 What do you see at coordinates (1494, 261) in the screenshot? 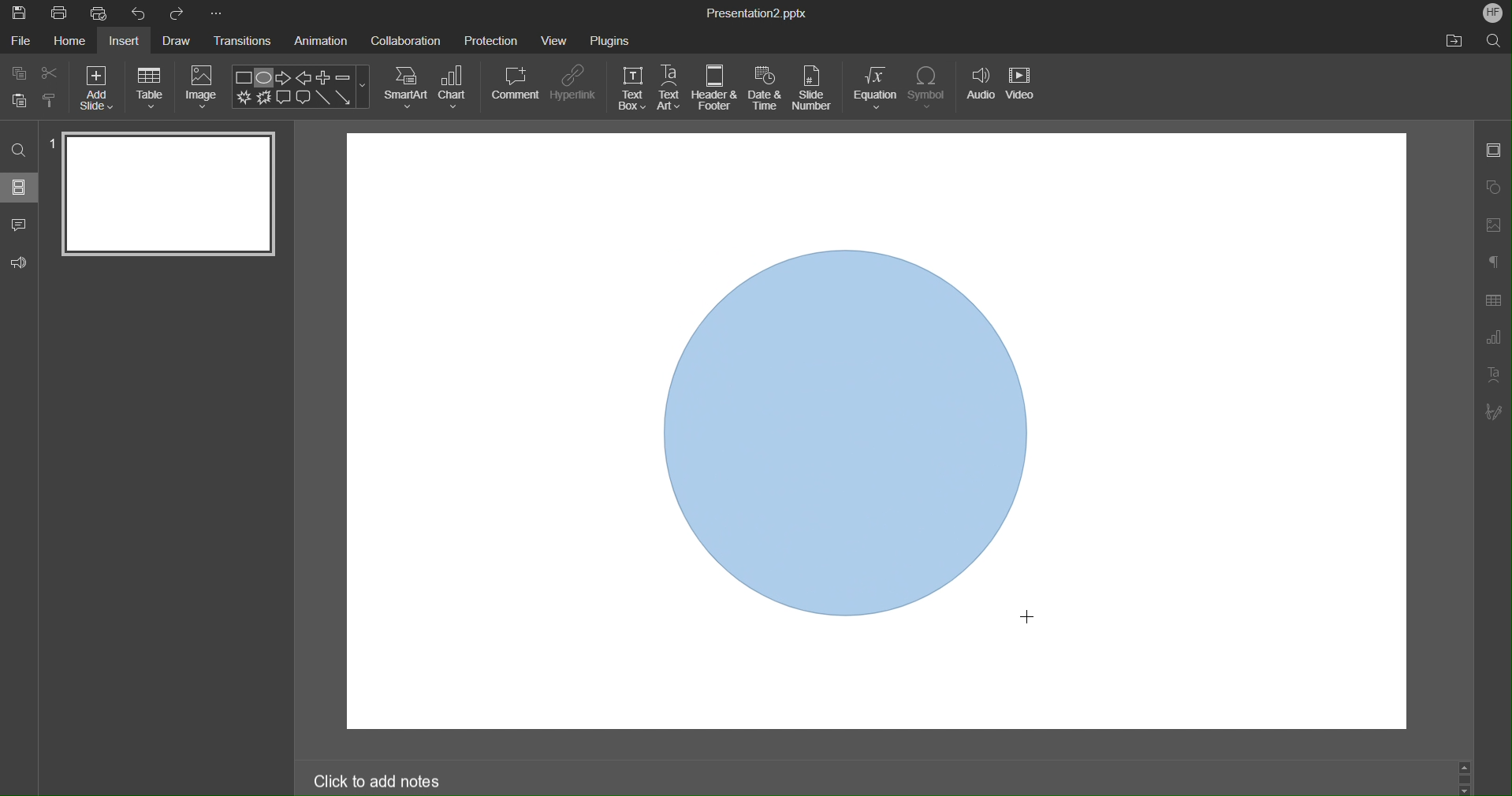
I see `Paragraphs` at bounding box center [1494, 261].